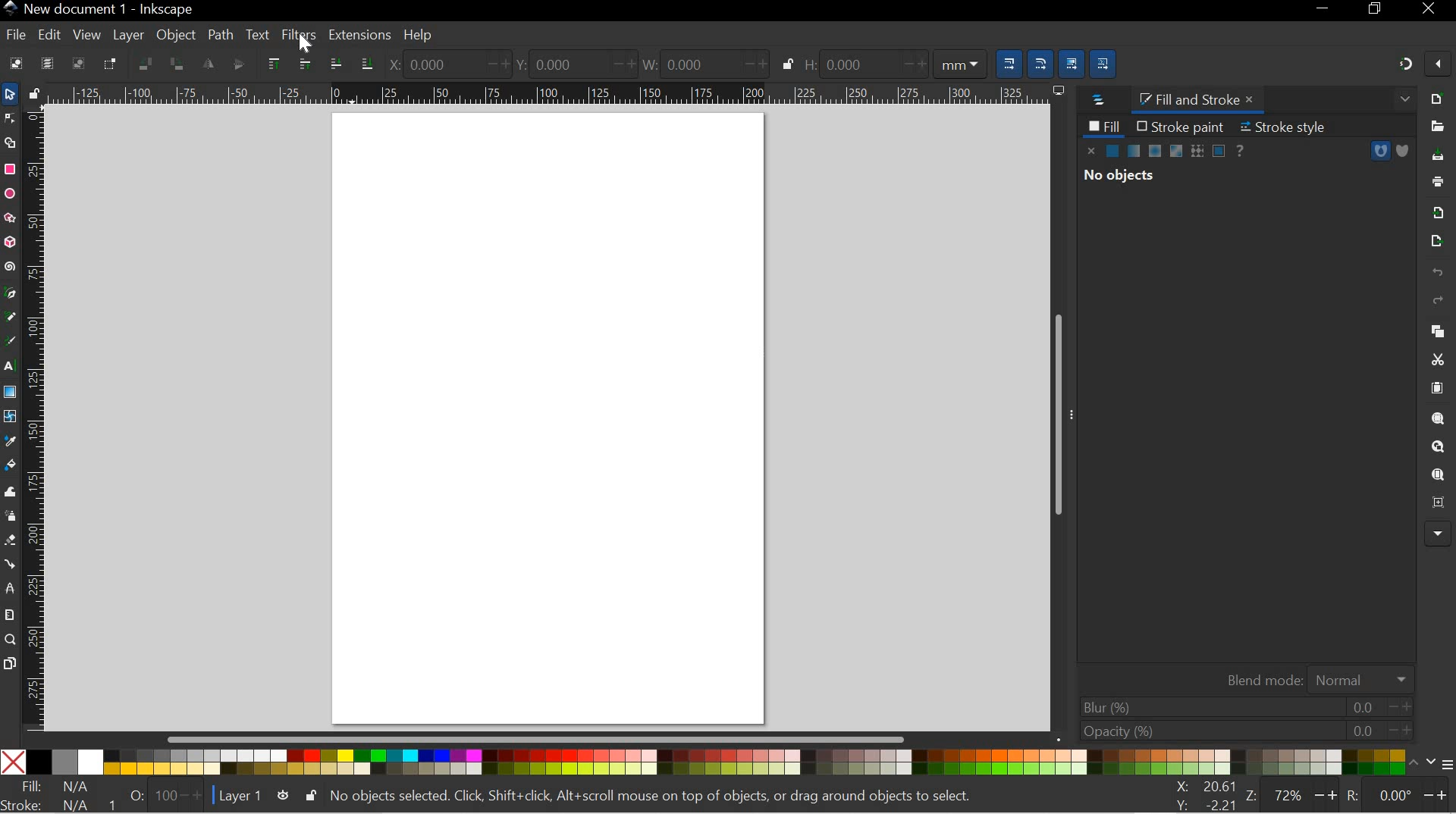  Describe the element at coordinates (1061, 416) in the screenshot. I see `SCROLLBAR` at that location.